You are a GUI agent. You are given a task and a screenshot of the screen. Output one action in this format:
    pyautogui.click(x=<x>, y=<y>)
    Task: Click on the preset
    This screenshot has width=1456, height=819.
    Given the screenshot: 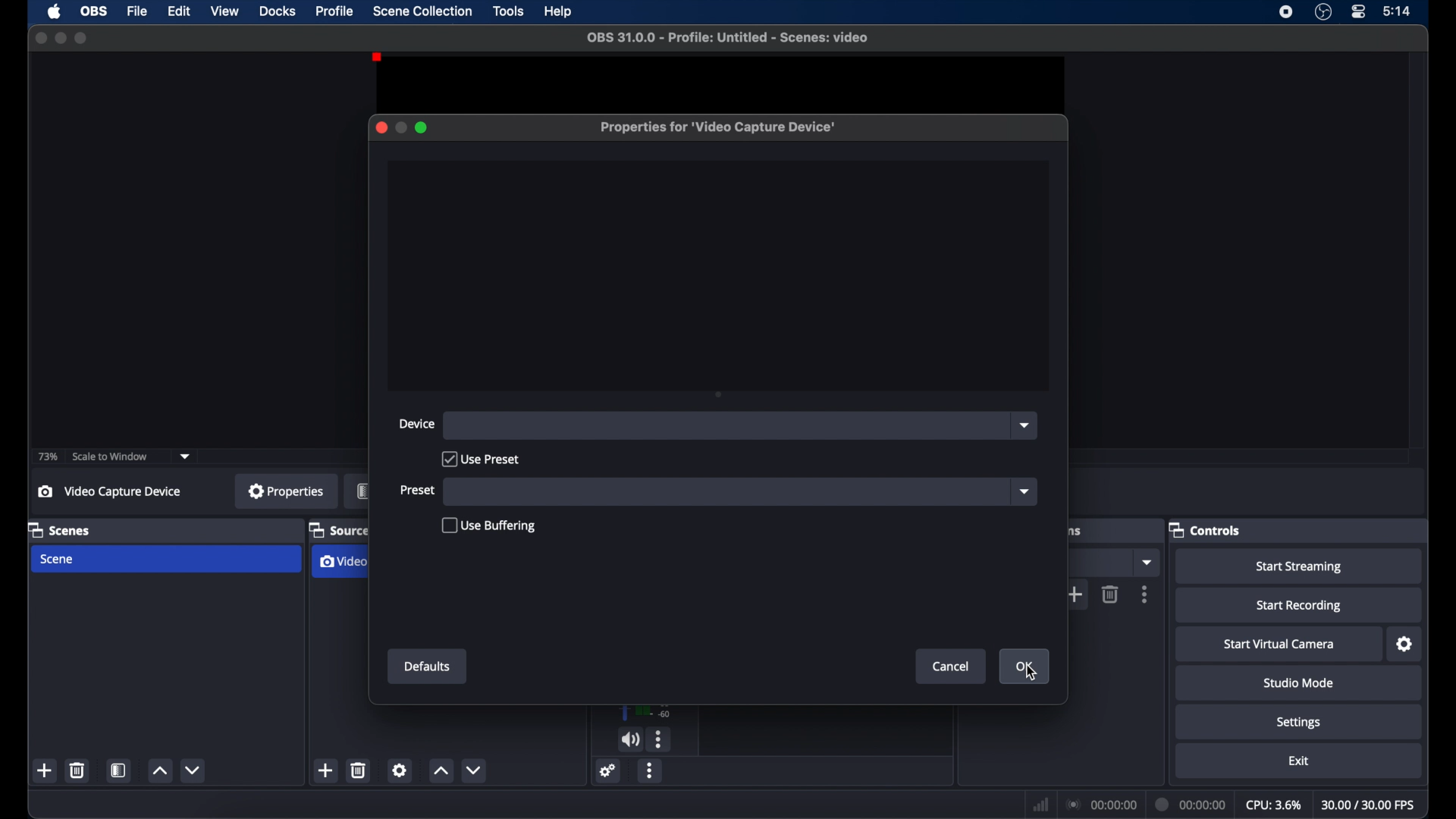 What is the action you would take?
    pyautogui.click(x=418, y=489)
    